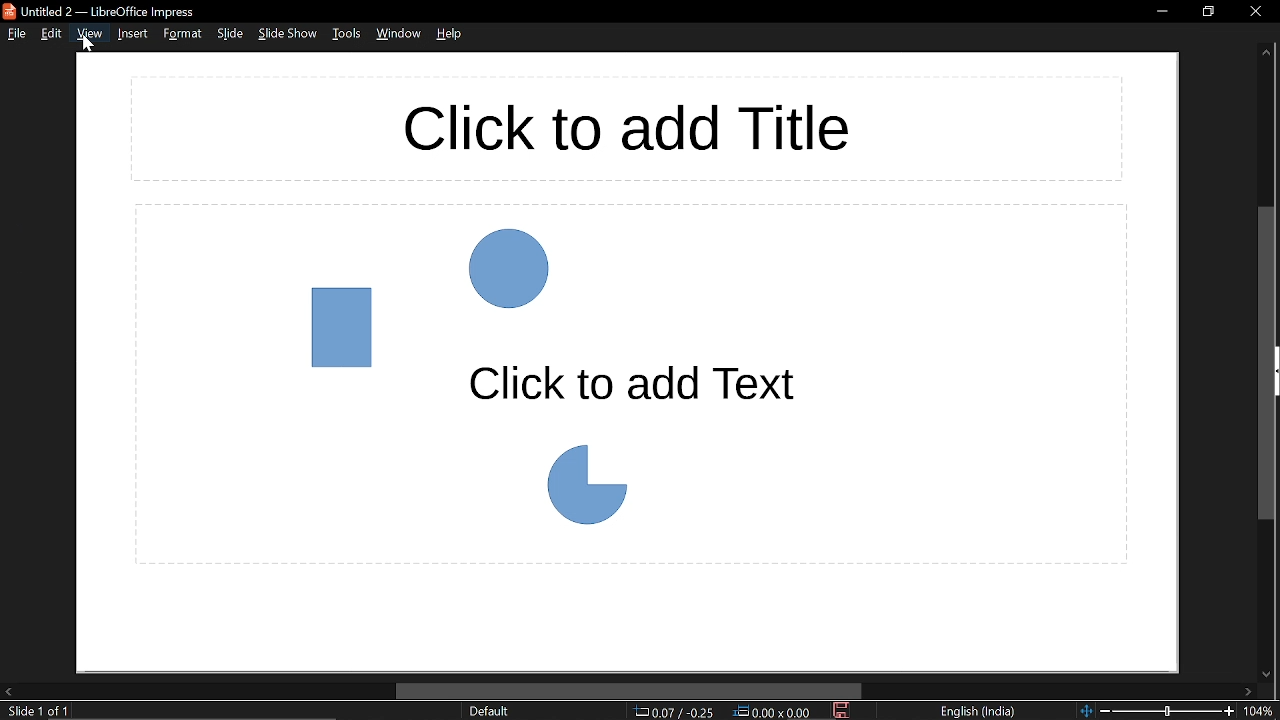 This screenshot has height=720, width=1280. I want to click on Save, so click(844, 712).